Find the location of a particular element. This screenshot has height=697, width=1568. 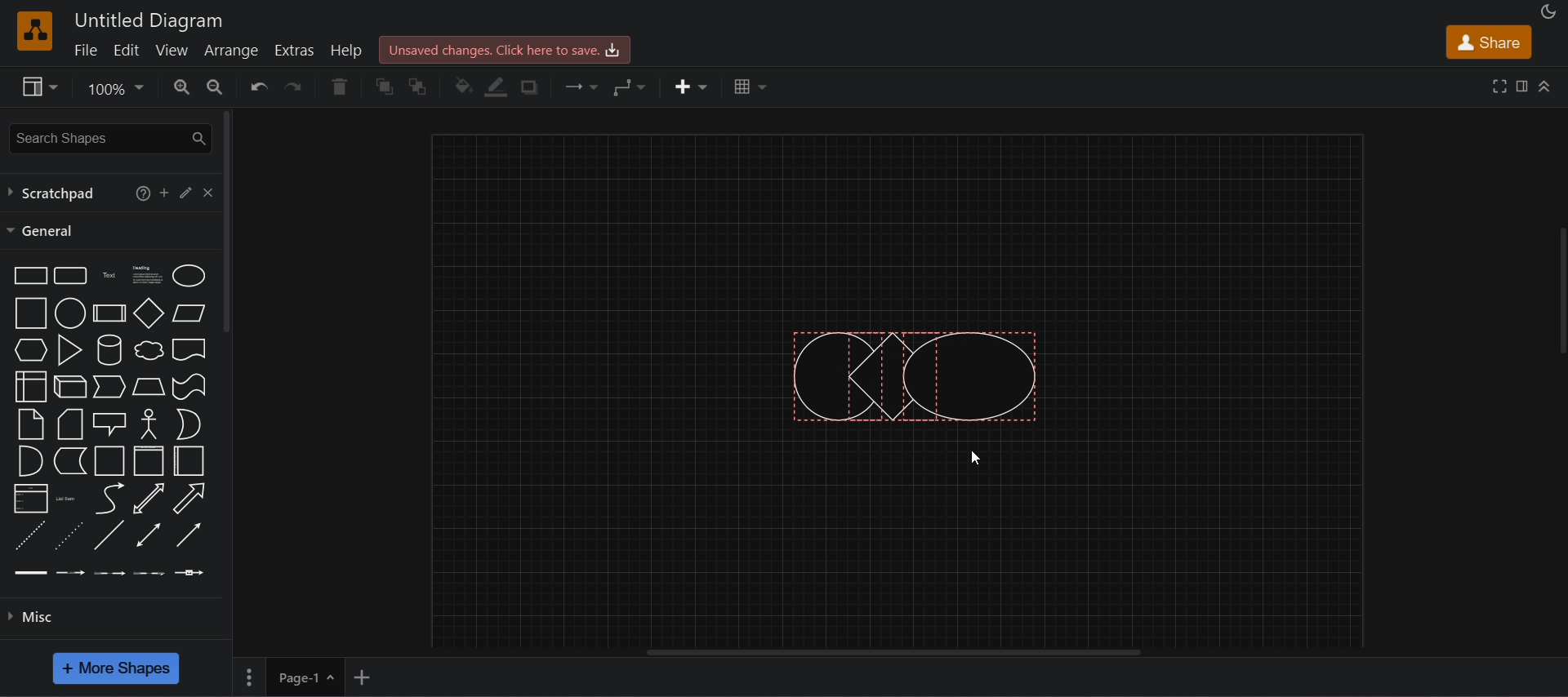

document is located at coordinates (189, 349).